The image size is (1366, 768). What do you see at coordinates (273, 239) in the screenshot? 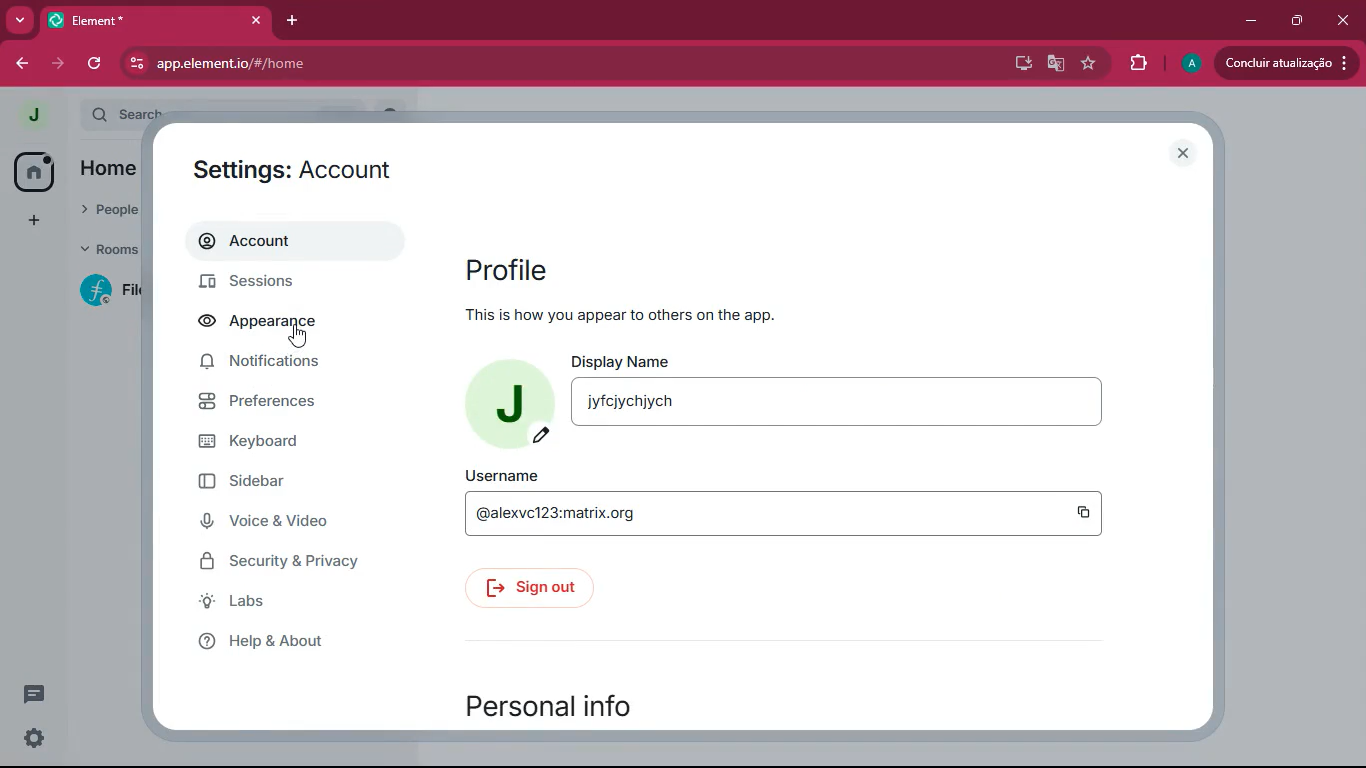
I see `Account` at bounding box center [273, 239].